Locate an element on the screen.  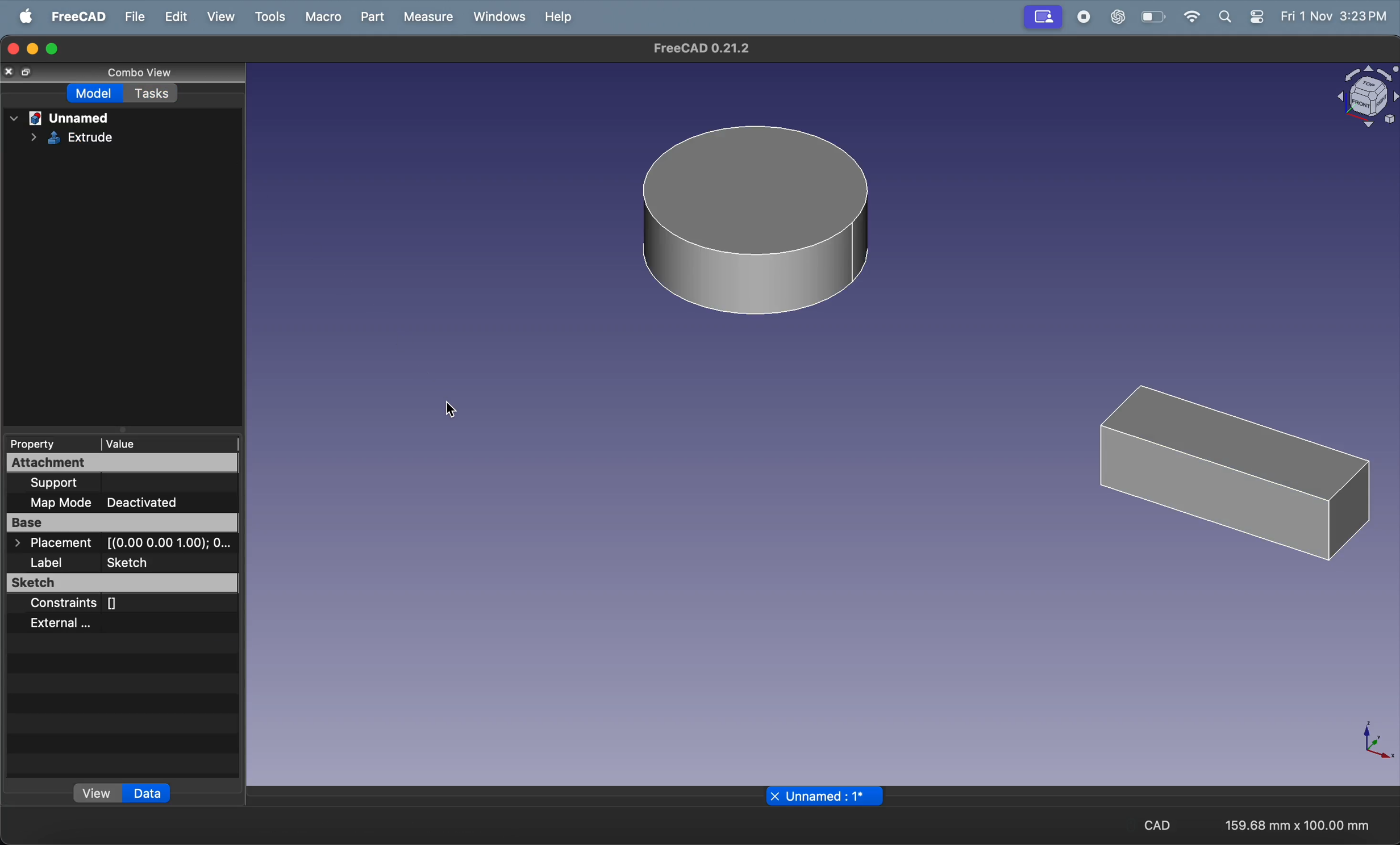
wifi is located at coordinates (1192, 16).